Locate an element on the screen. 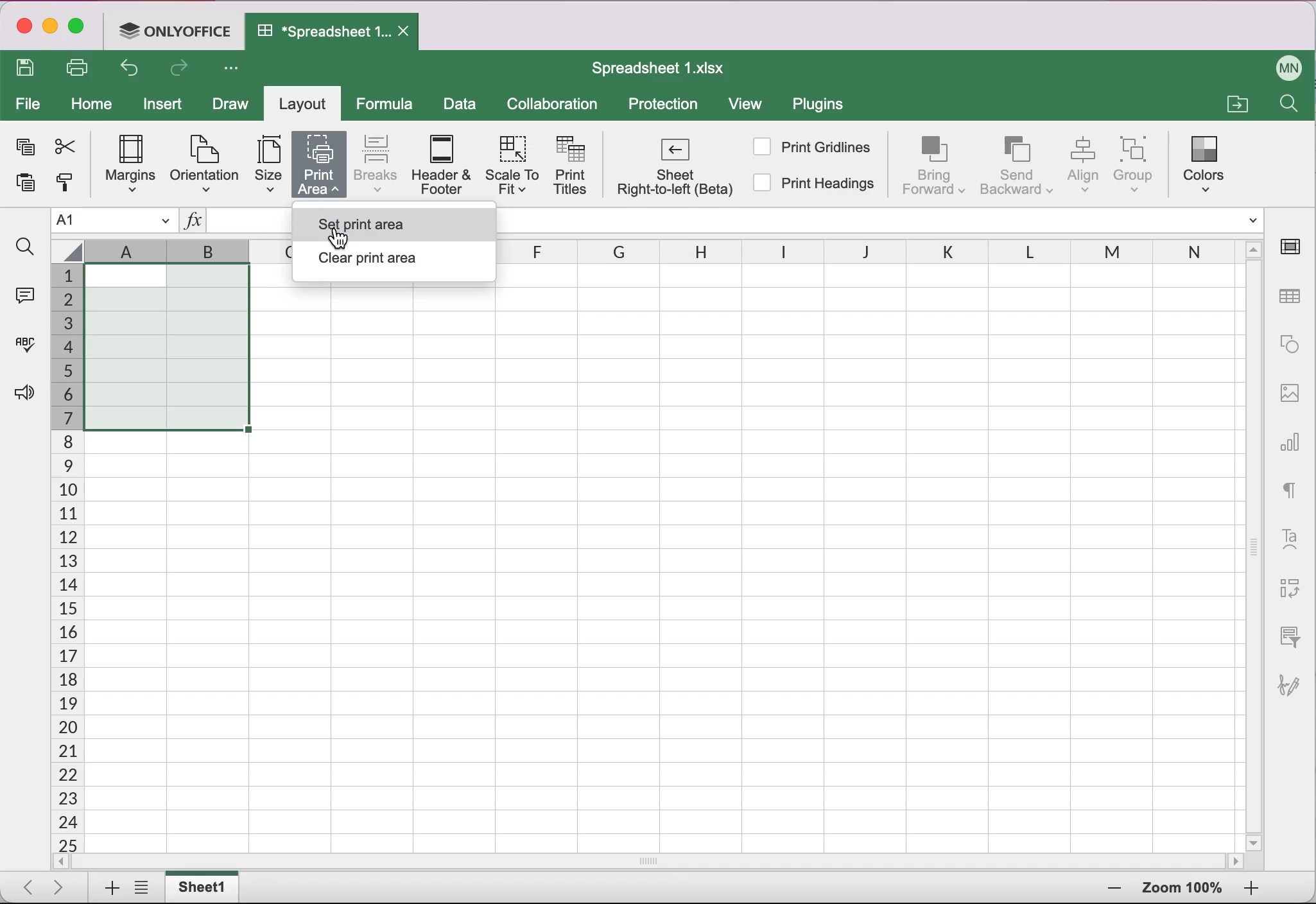 Image resolution: width=1316 pixels, height=904 pixels. Print headings is located at coordinates (816, 186).